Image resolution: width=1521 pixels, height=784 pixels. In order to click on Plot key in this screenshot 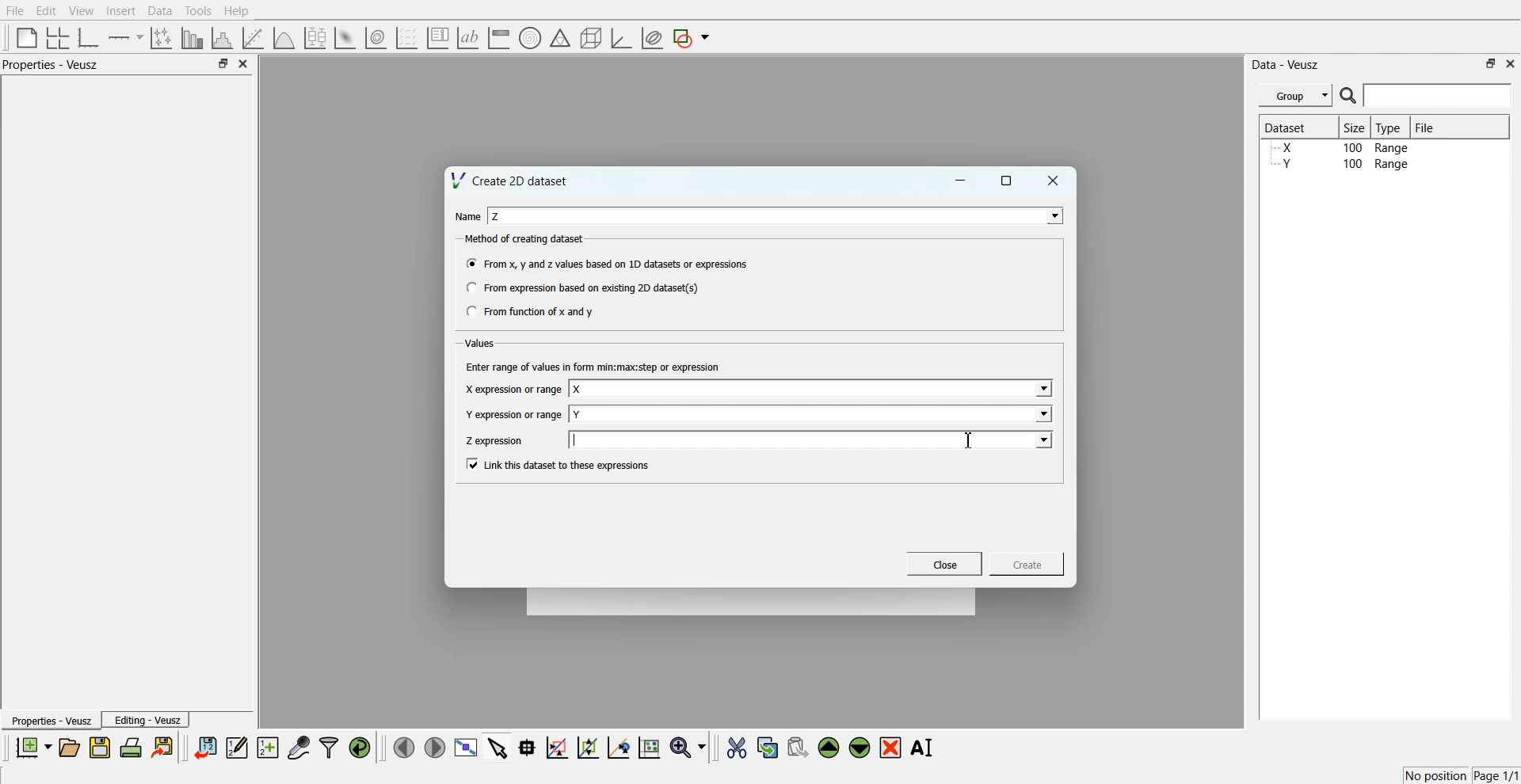, I will do `click(437, 38)`.